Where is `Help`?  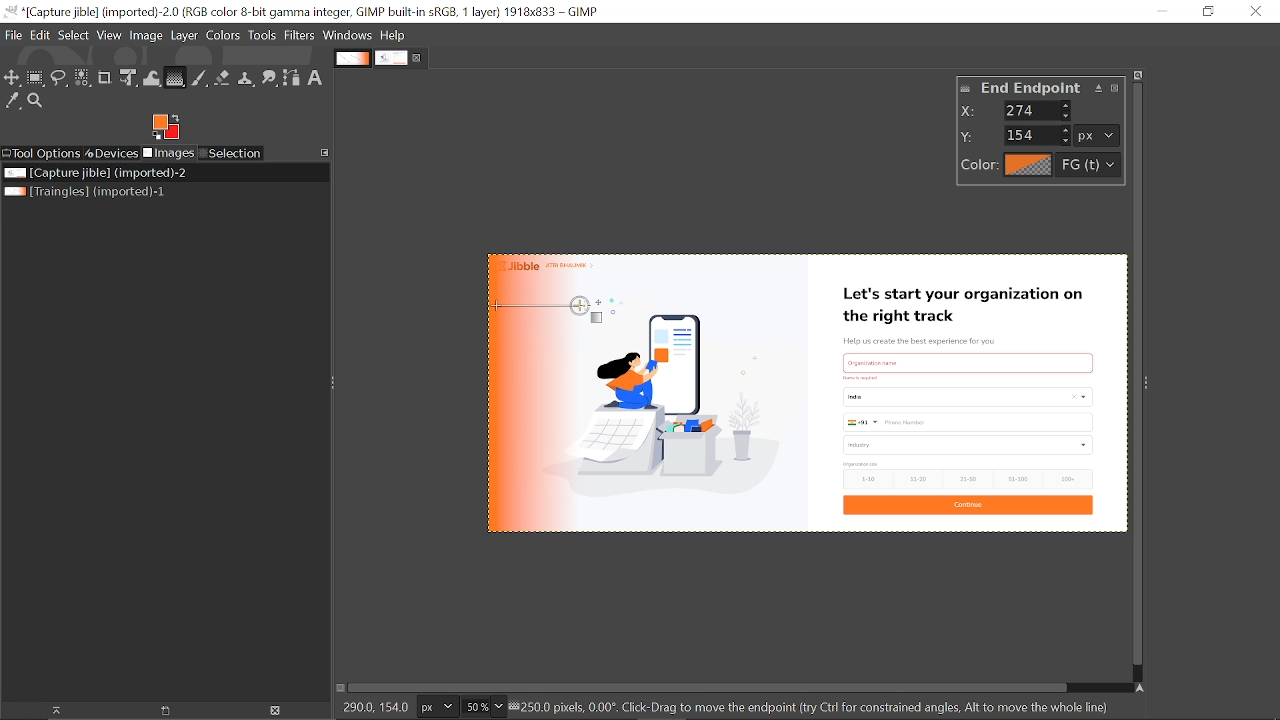 Help is located at coordinates (394, 35).